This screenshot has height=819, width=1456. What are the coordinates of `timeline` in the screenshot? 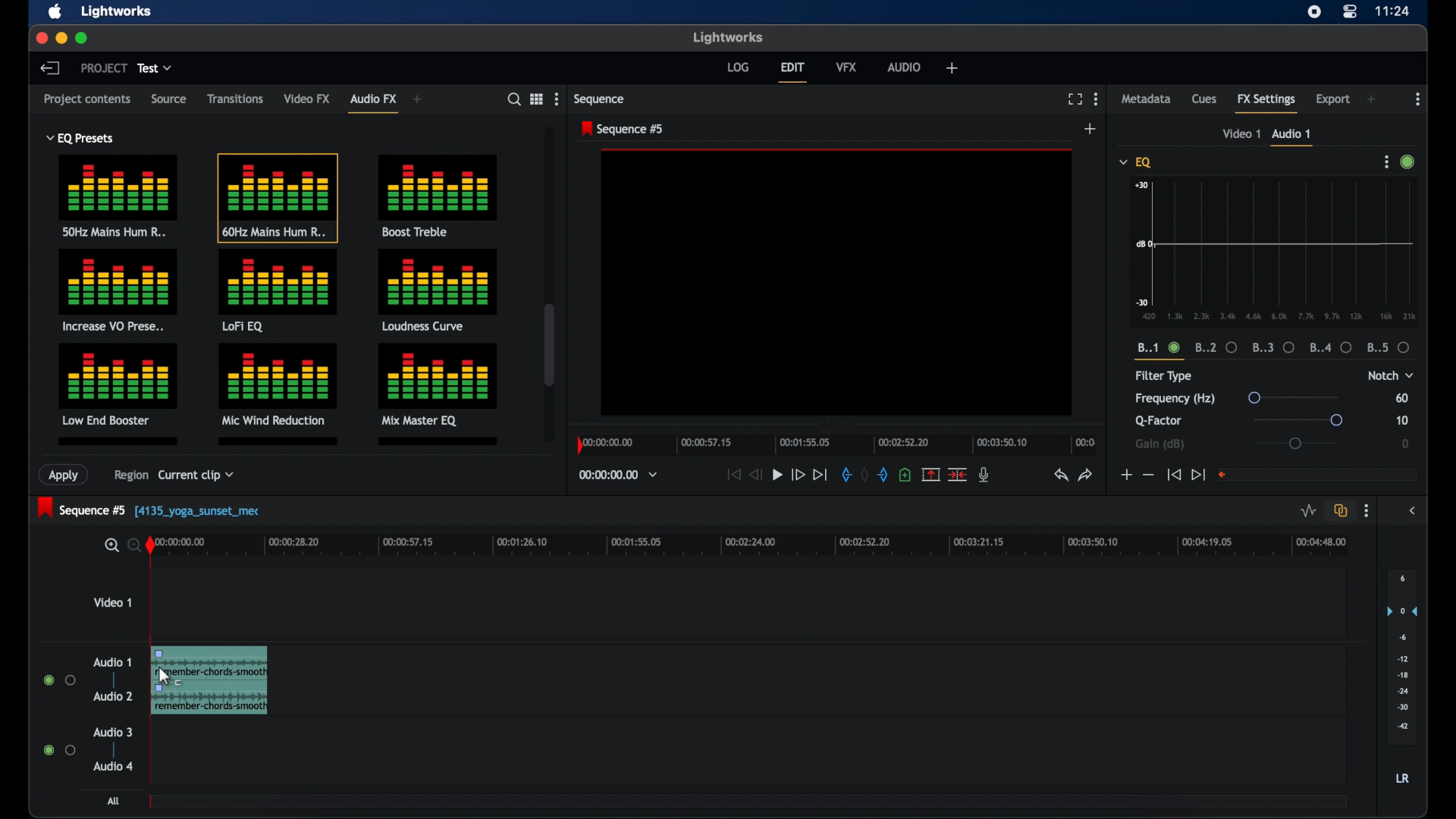 It's located at (834, 443).